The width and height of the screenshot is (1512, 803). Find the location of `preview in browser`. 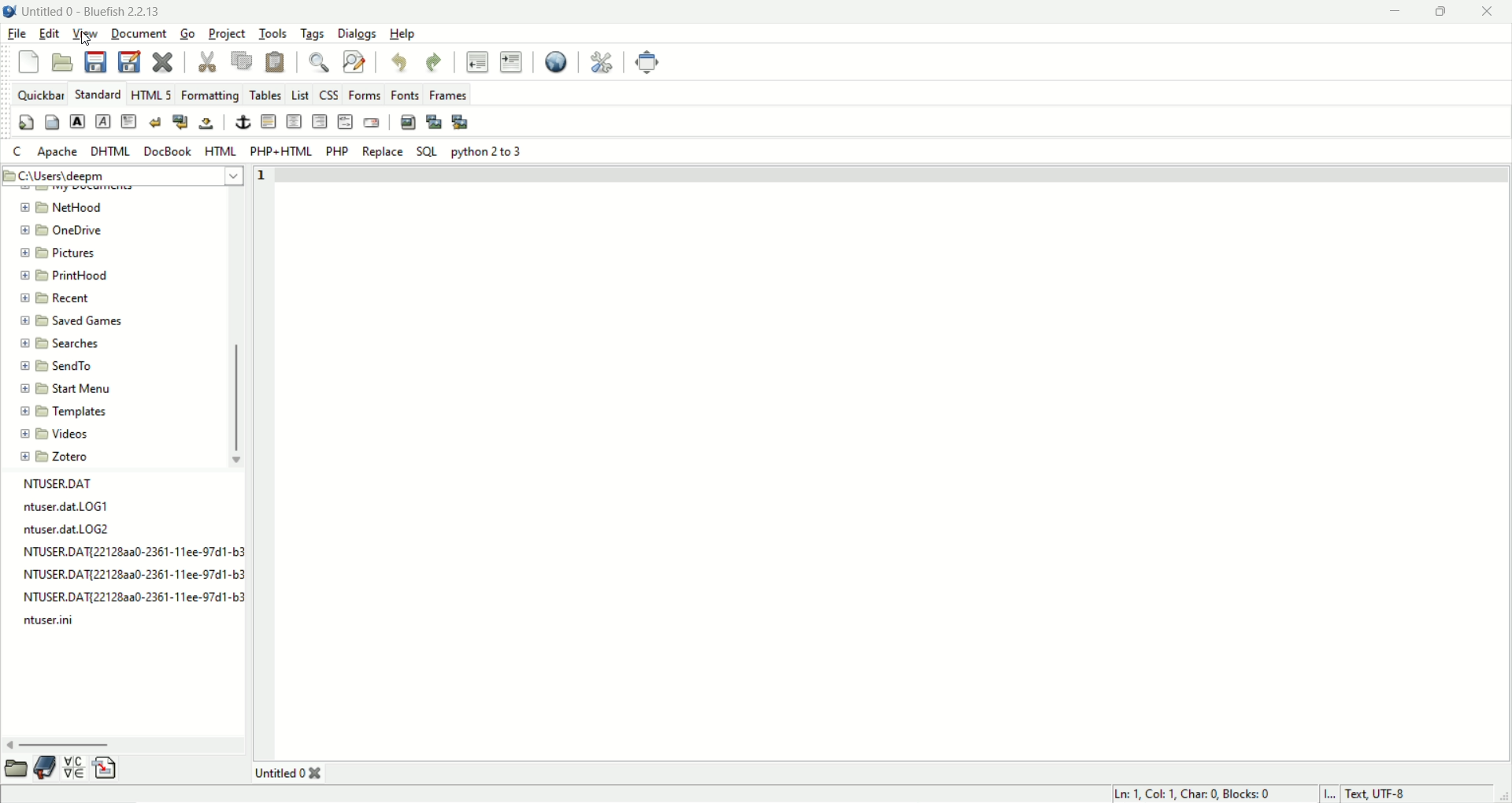

preview in browser is located at coordinates (557, 63).